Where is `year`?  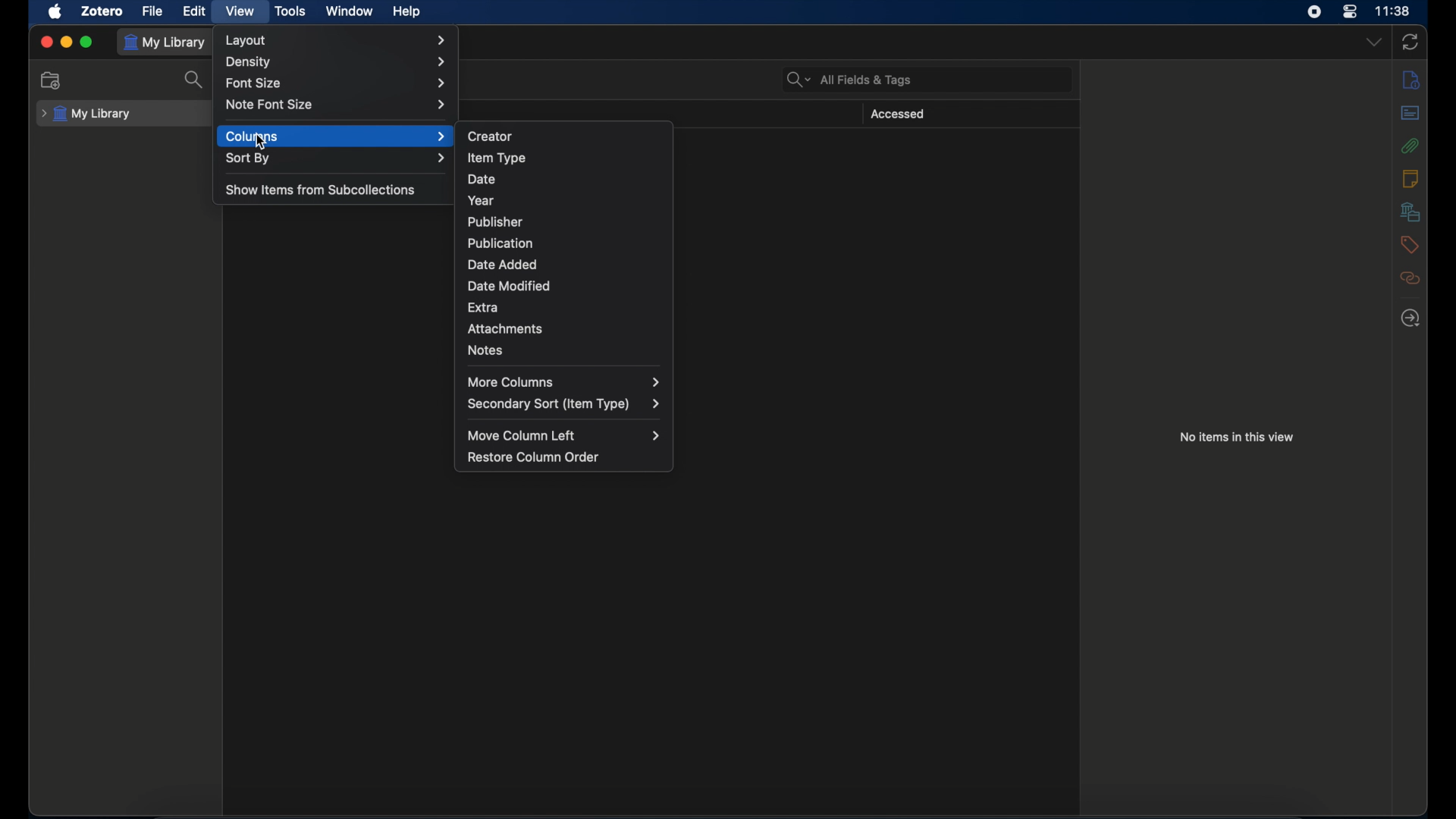
year is located at coordinates (481, 200).